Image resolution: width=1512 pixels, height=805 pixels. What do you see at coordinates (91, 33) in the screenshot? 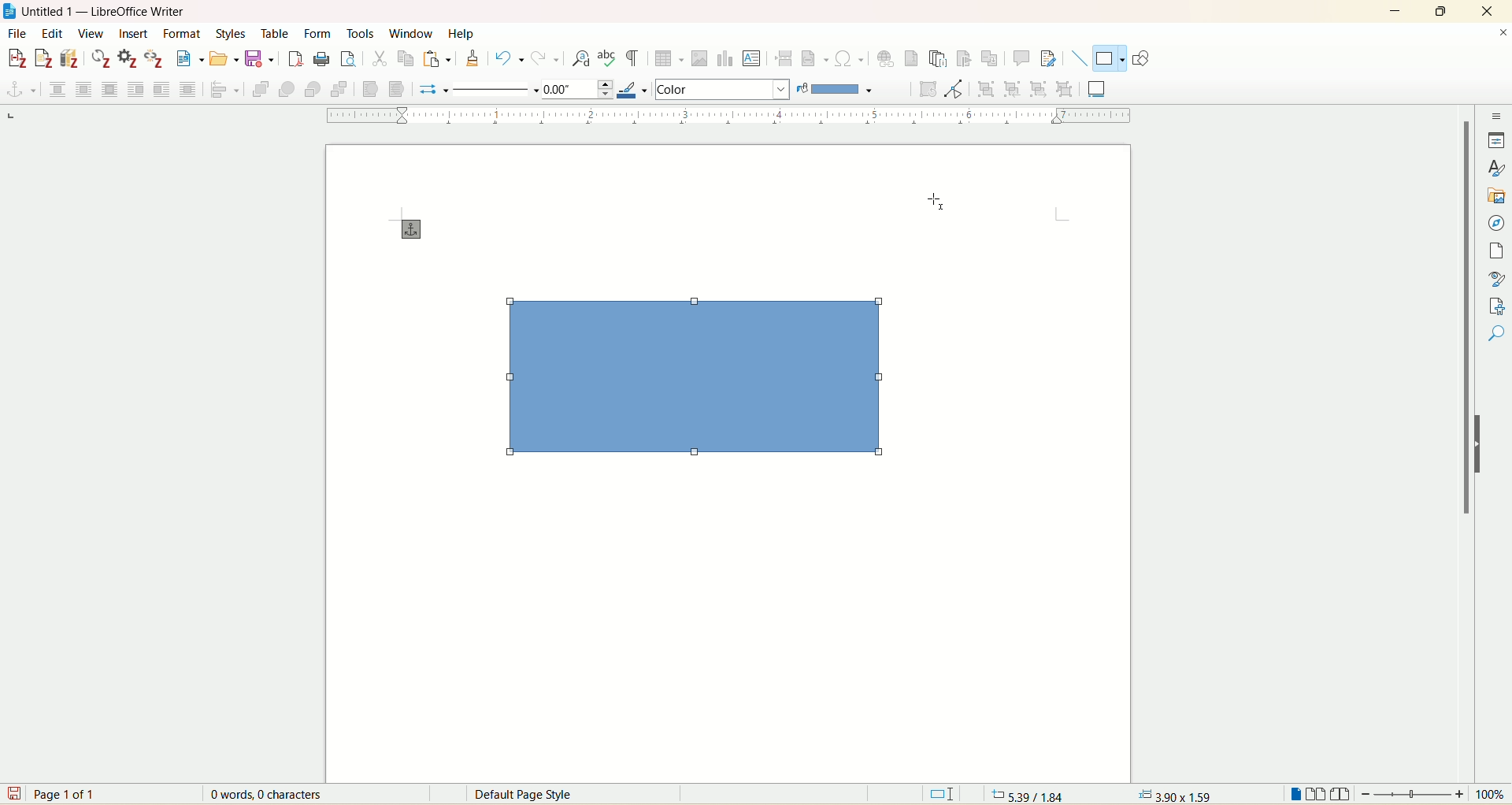
I see `view` at bounding box center [91, 33].